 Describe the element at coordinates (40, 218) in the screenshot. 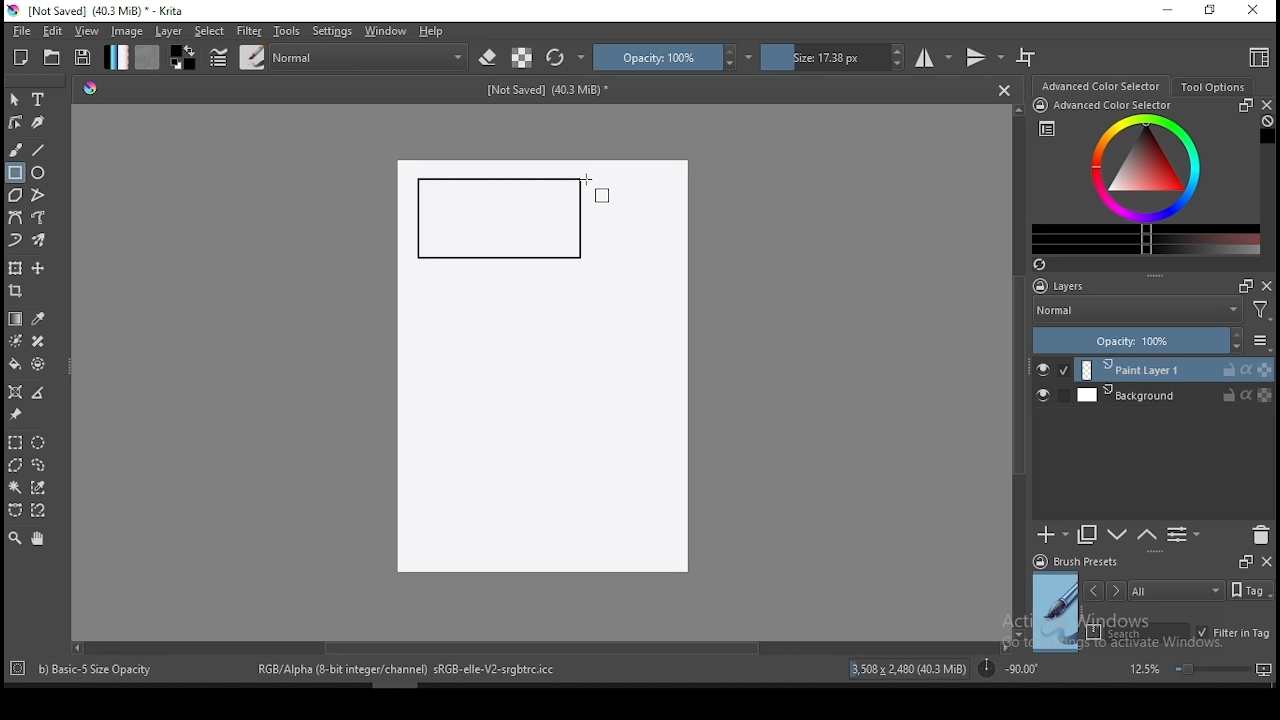

I see `freehand path tool` at that location.